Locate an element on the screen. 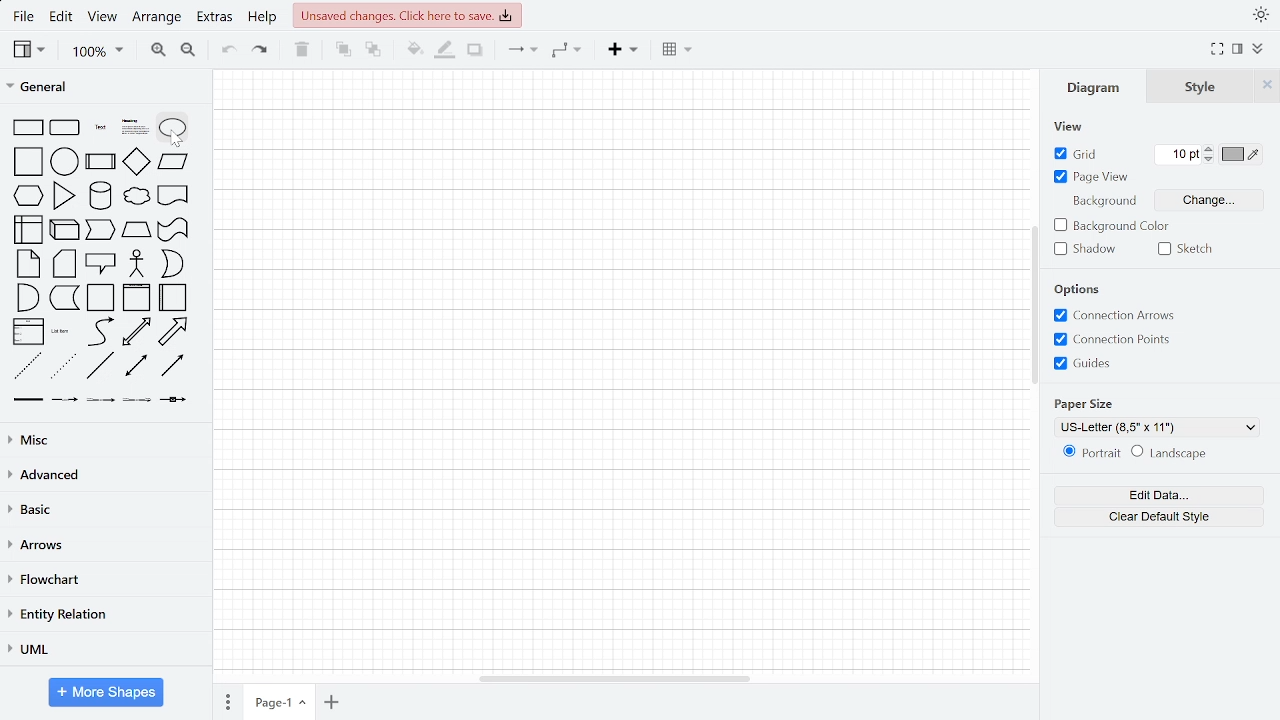  Canvas is located at coordinates (618, 370).